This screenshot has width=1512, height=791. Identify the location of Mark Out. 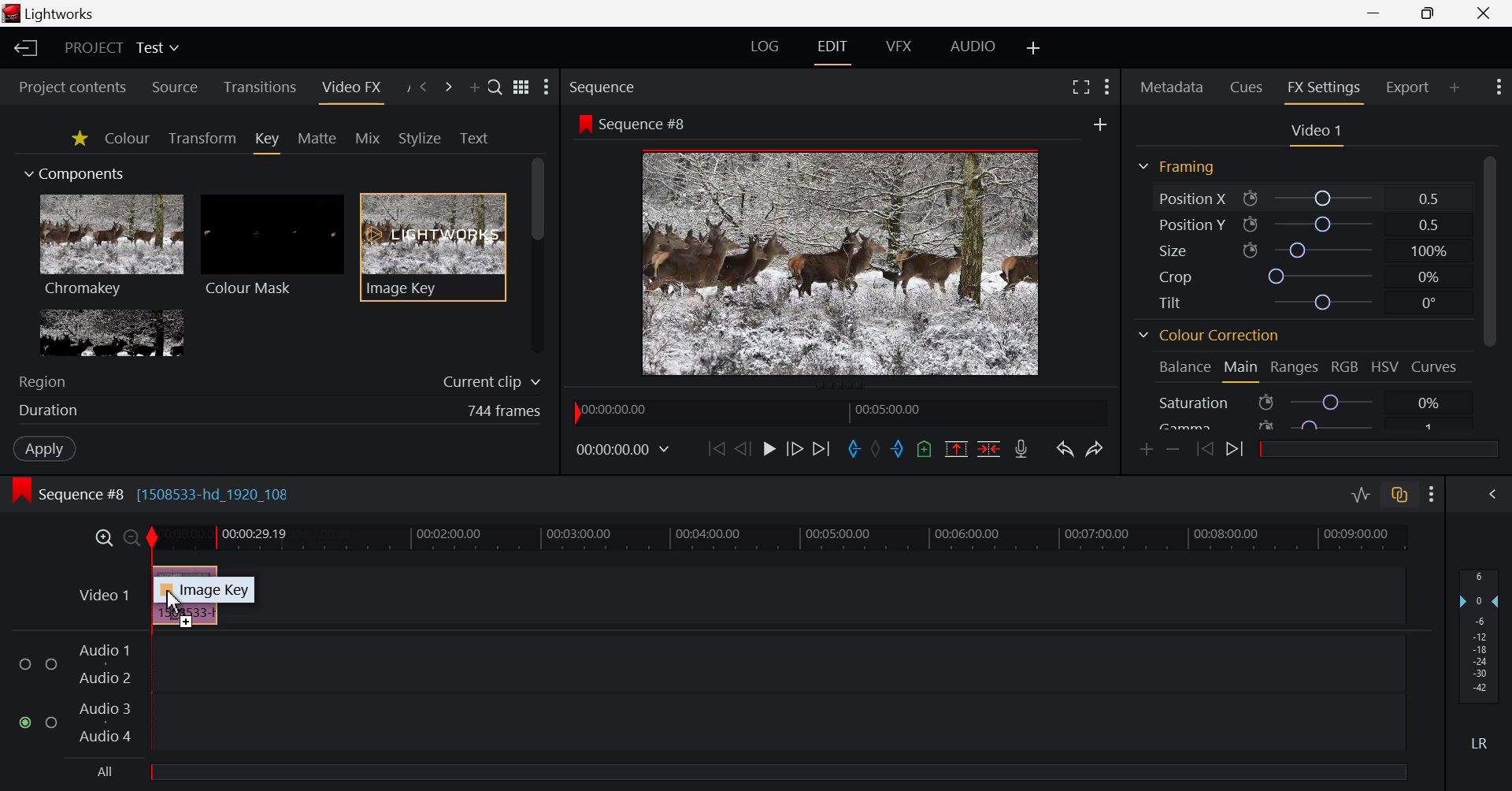
(899, 448).